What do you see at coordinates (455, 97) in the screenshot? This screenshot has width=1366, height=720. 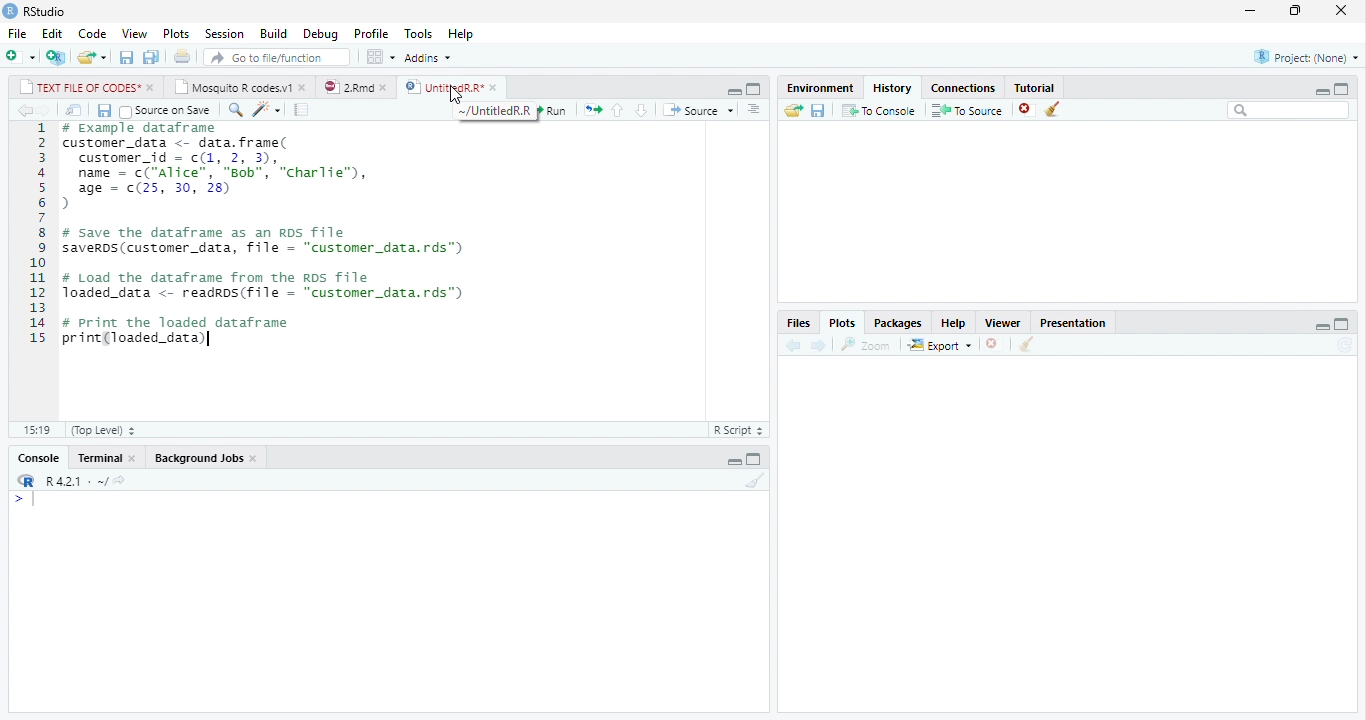 I see `cursor` at bounding box center [455, 97].